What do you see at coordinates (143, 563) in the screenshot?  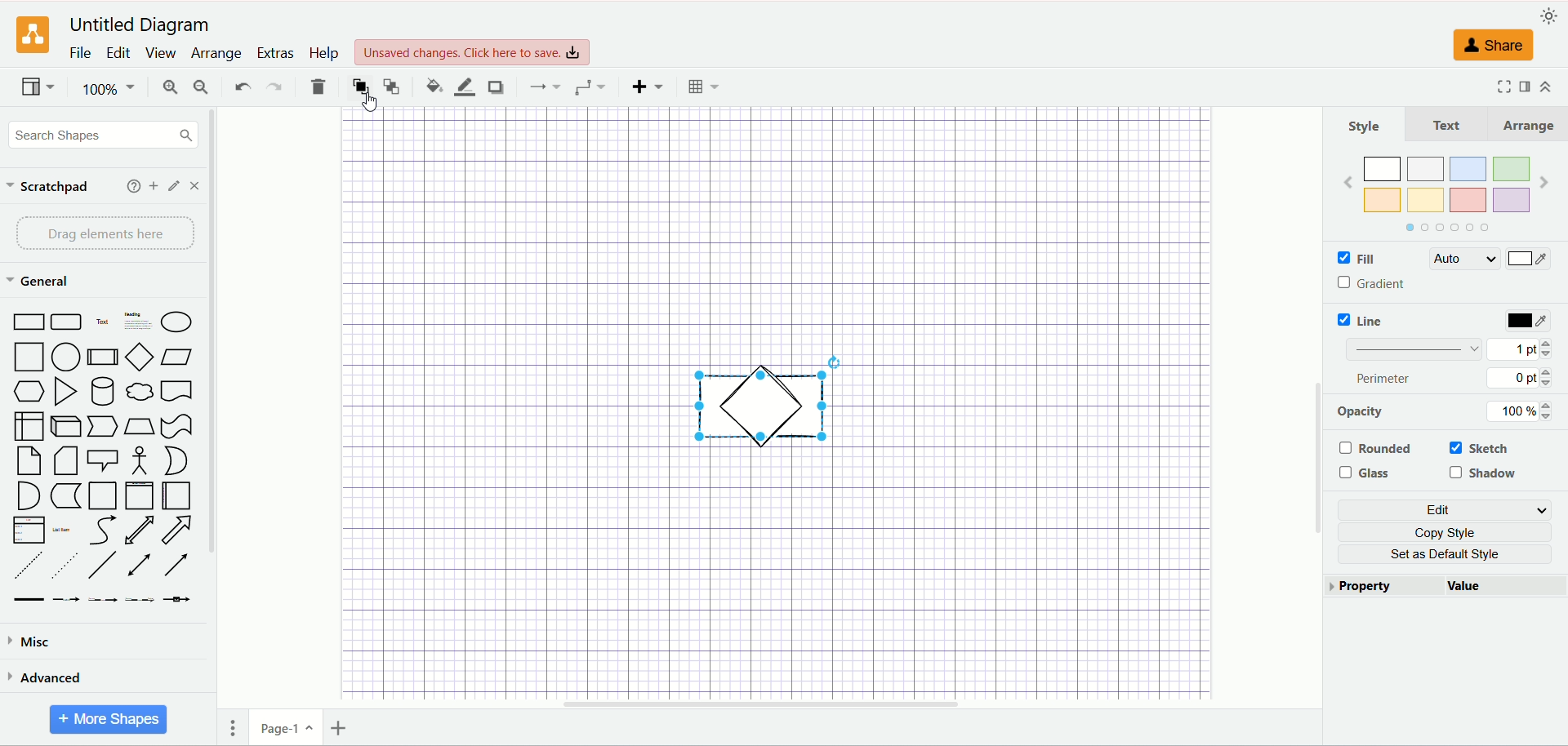 I see `bidirectional arrow` at bounding box center [143, 563].